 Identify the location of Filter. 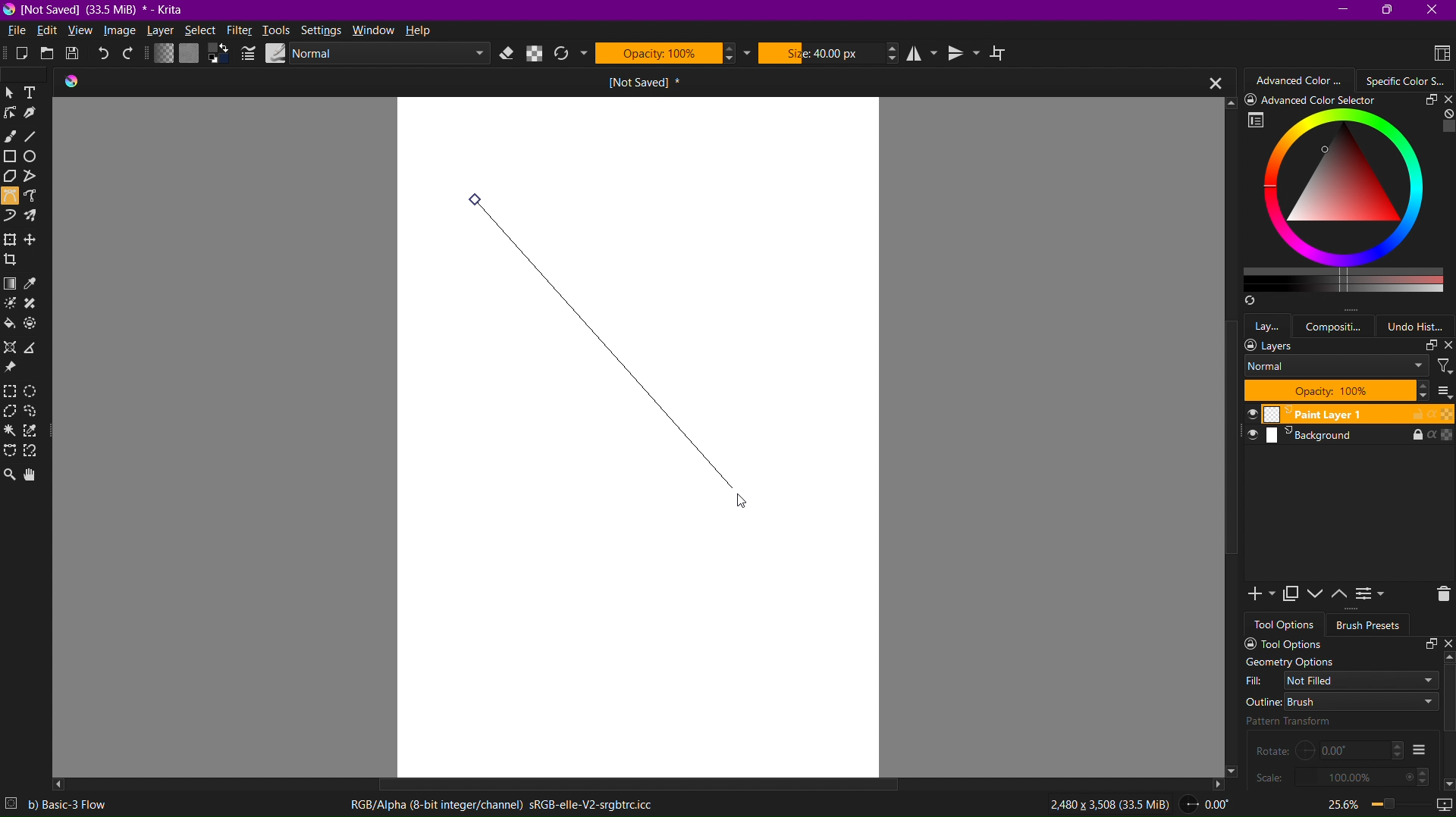
(239, 30).